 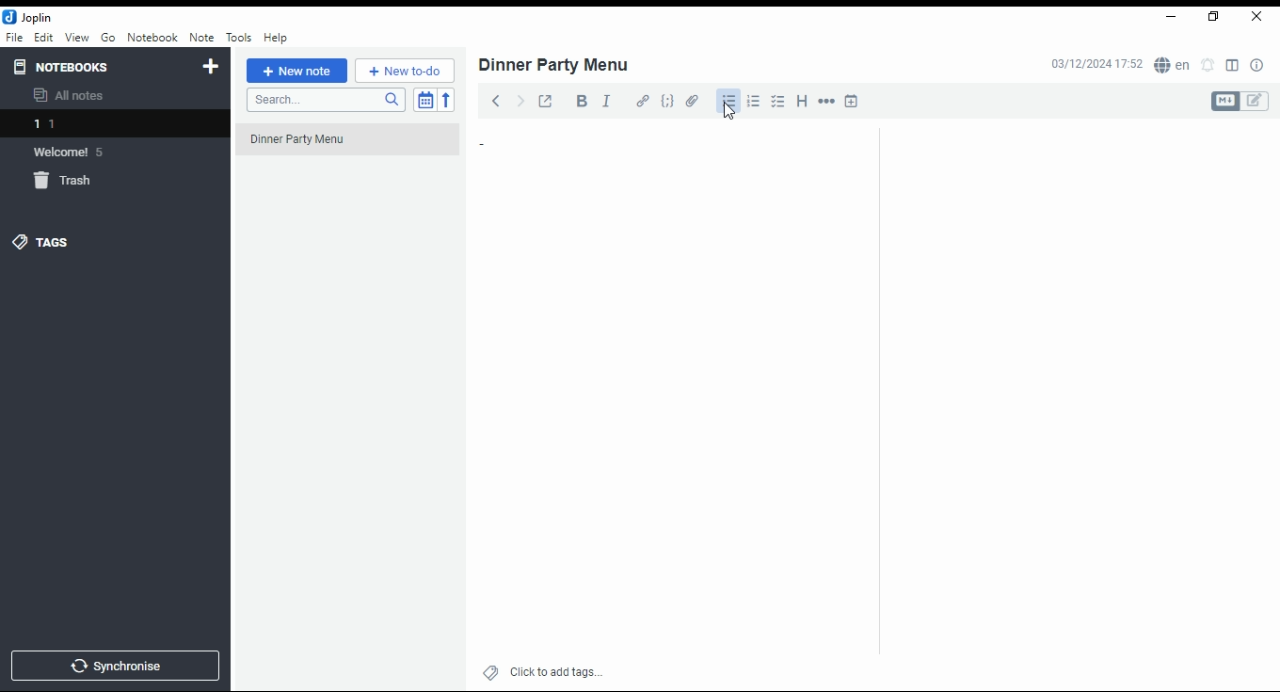 What do you see at coordinates (66, 181) in the screenshot?
I see `trash` at bounding box center [66, 181].